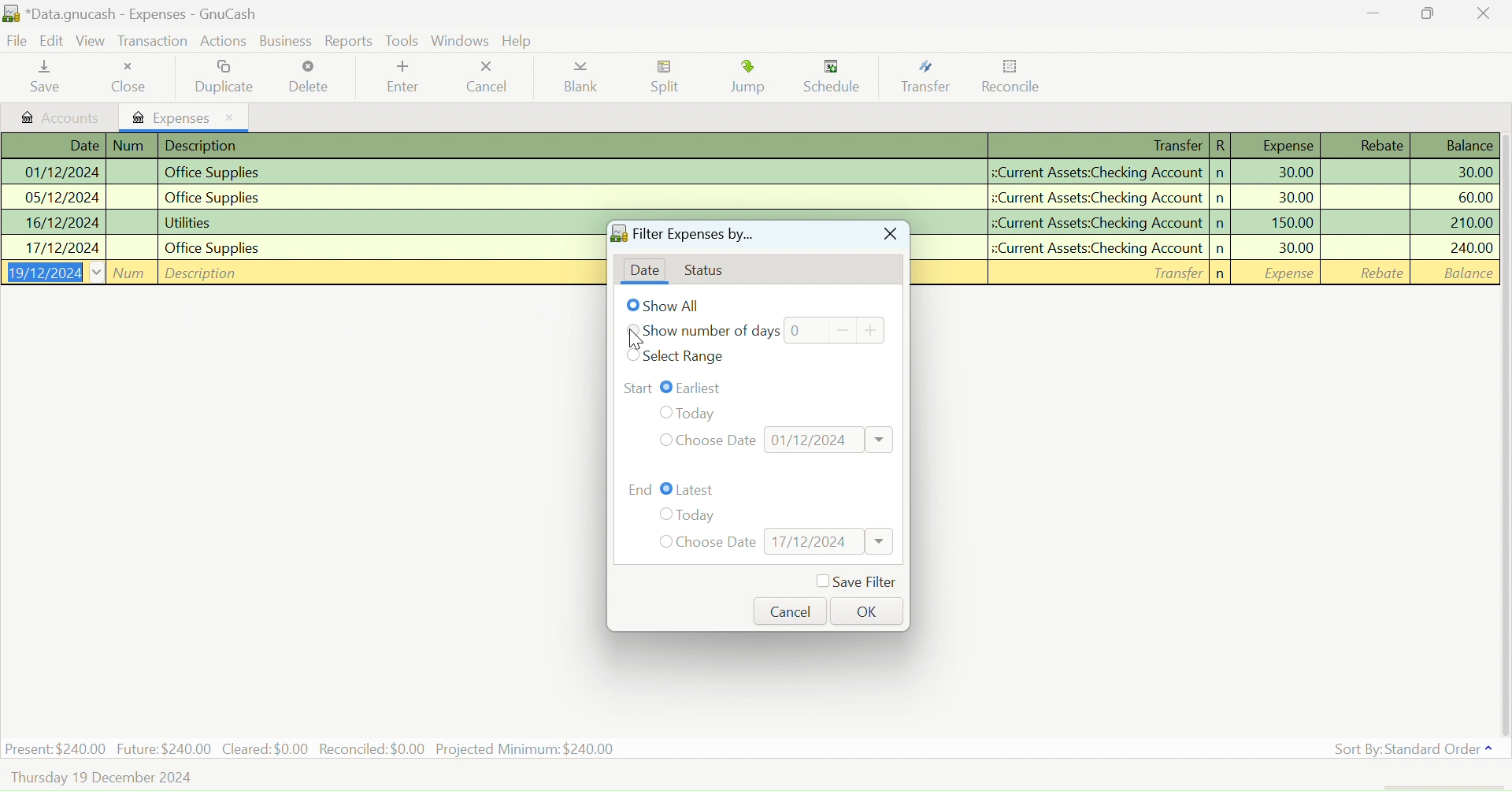 The height and width of the screenshot is (791, 1512). What do you see at coordinates (644, 271) in the screenshot?
I see `Date` at bounding box center [644, 271].